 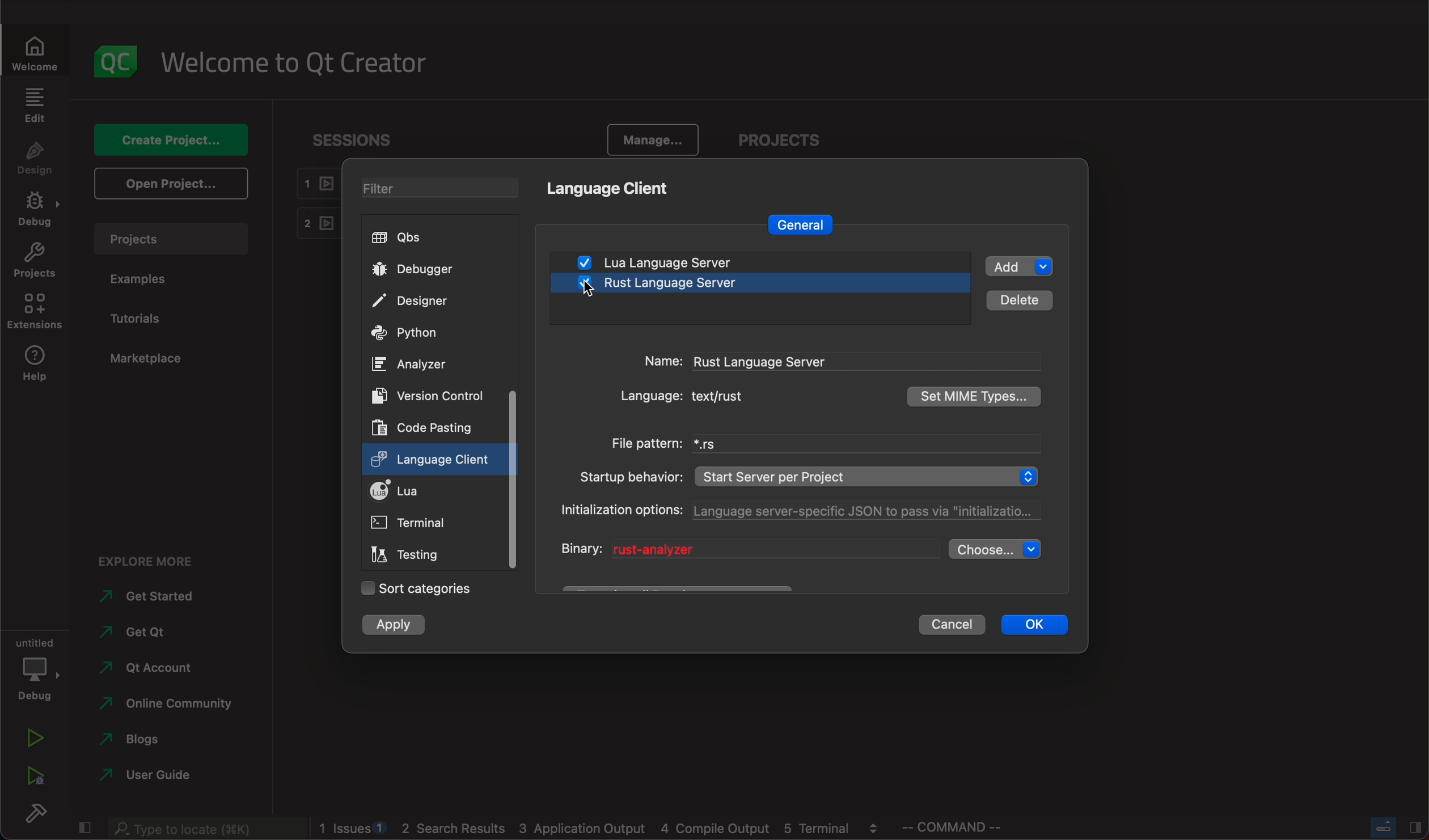 What do you see at coordinates (353, 144) in the screenshot?
I see `sessions` at bounding box center [353, 144].